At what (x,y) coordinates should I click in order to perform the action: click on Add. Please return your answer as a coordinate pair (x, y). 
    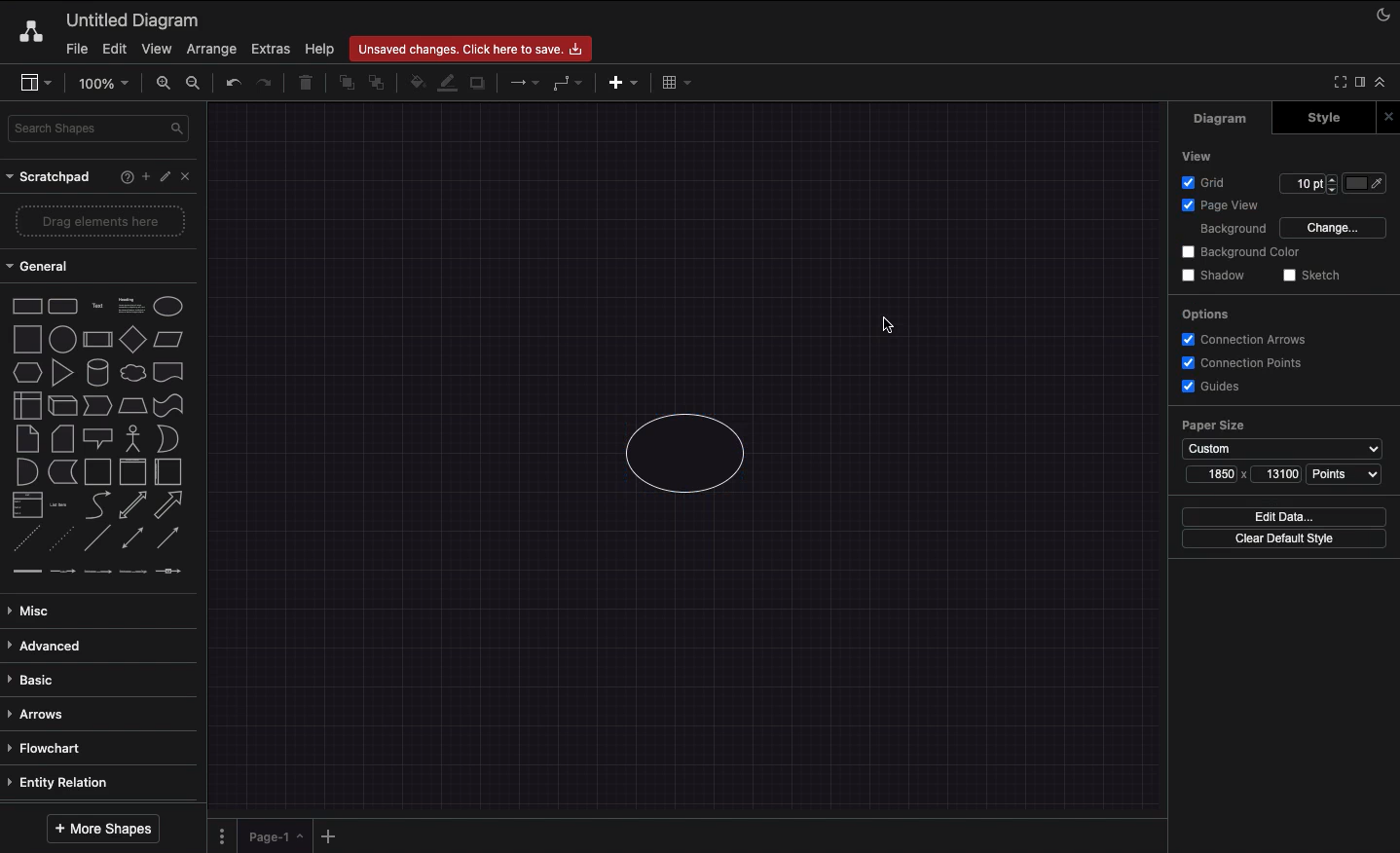
    Looking at the image, I should click on (145, 175).